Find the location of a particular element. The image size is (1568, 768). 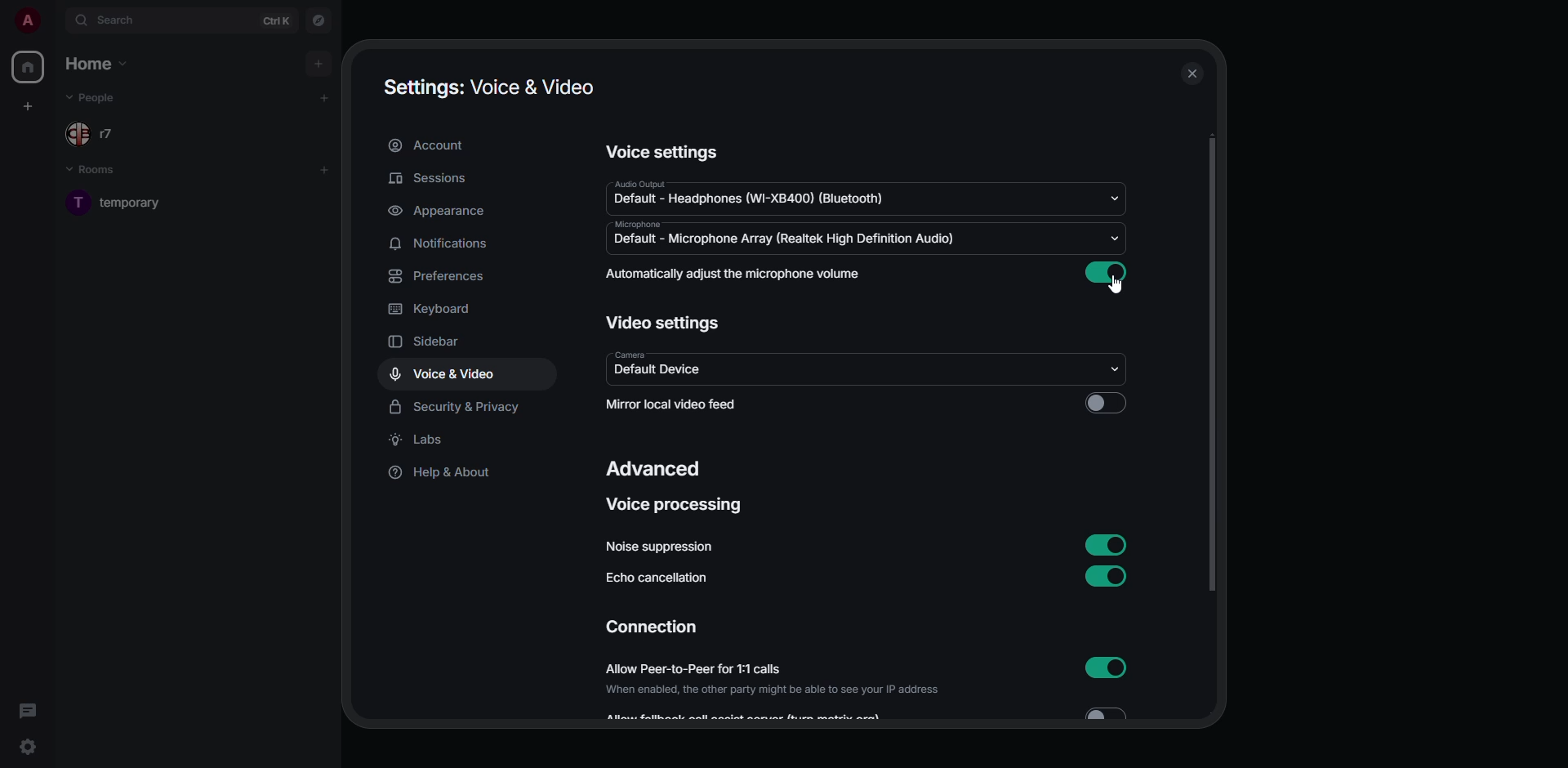

automatically adjust microphone volume is located at coordinates (737, 275).